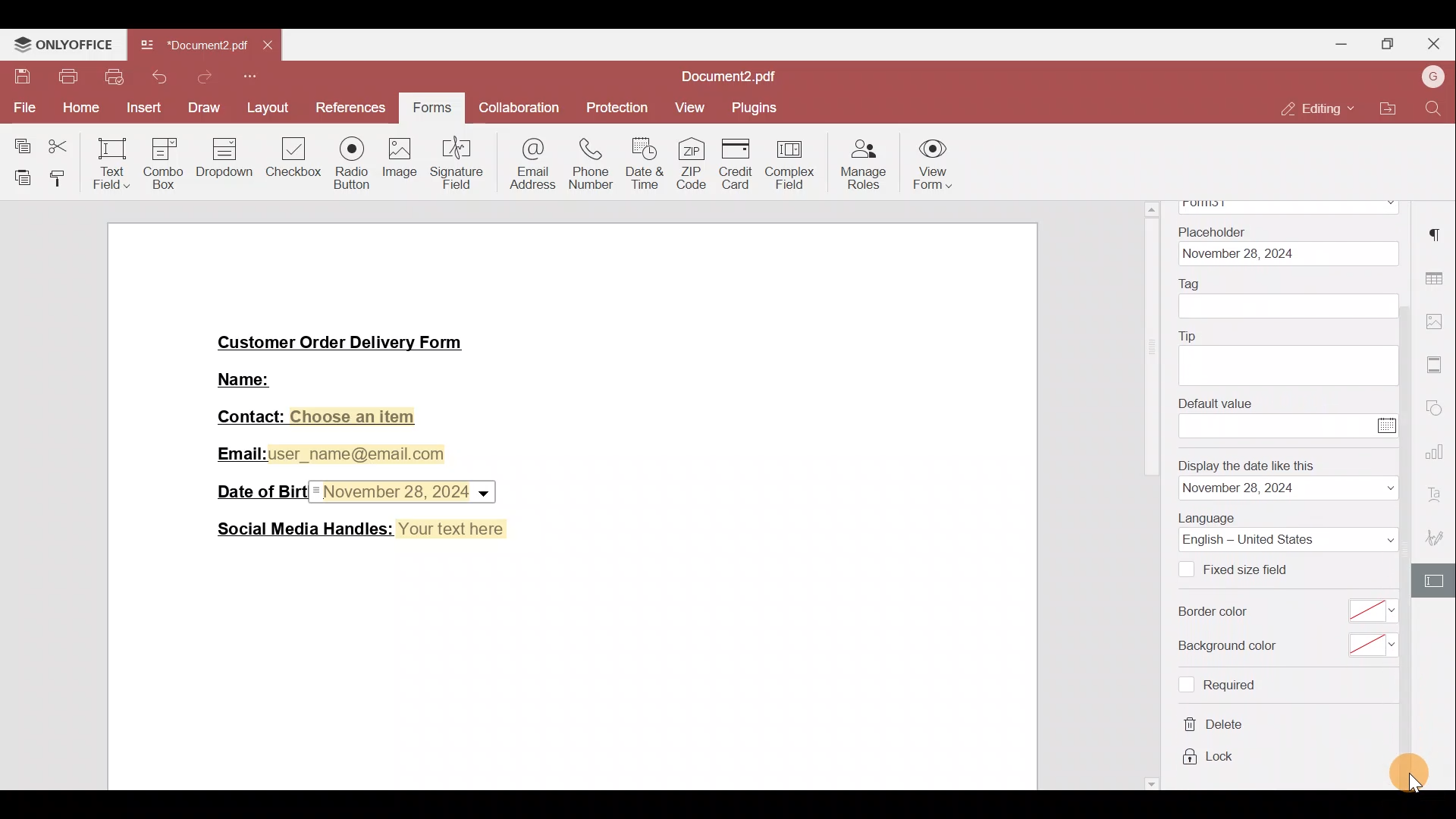 Image resolution: width=1456 pixels, height=819 pixels. Describe the element at coordinates (62, 143) in the screenshot. I see `Cut` at that location.